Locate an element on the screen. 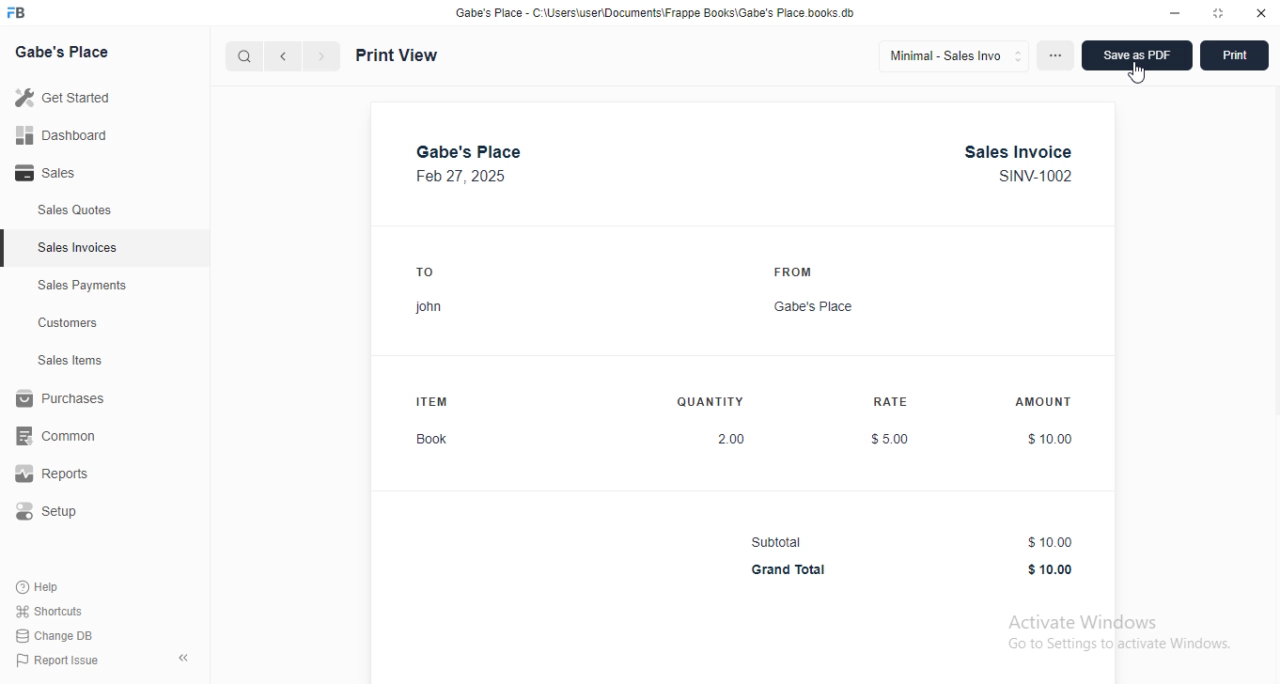  setup is located at coordinates (47, 511).